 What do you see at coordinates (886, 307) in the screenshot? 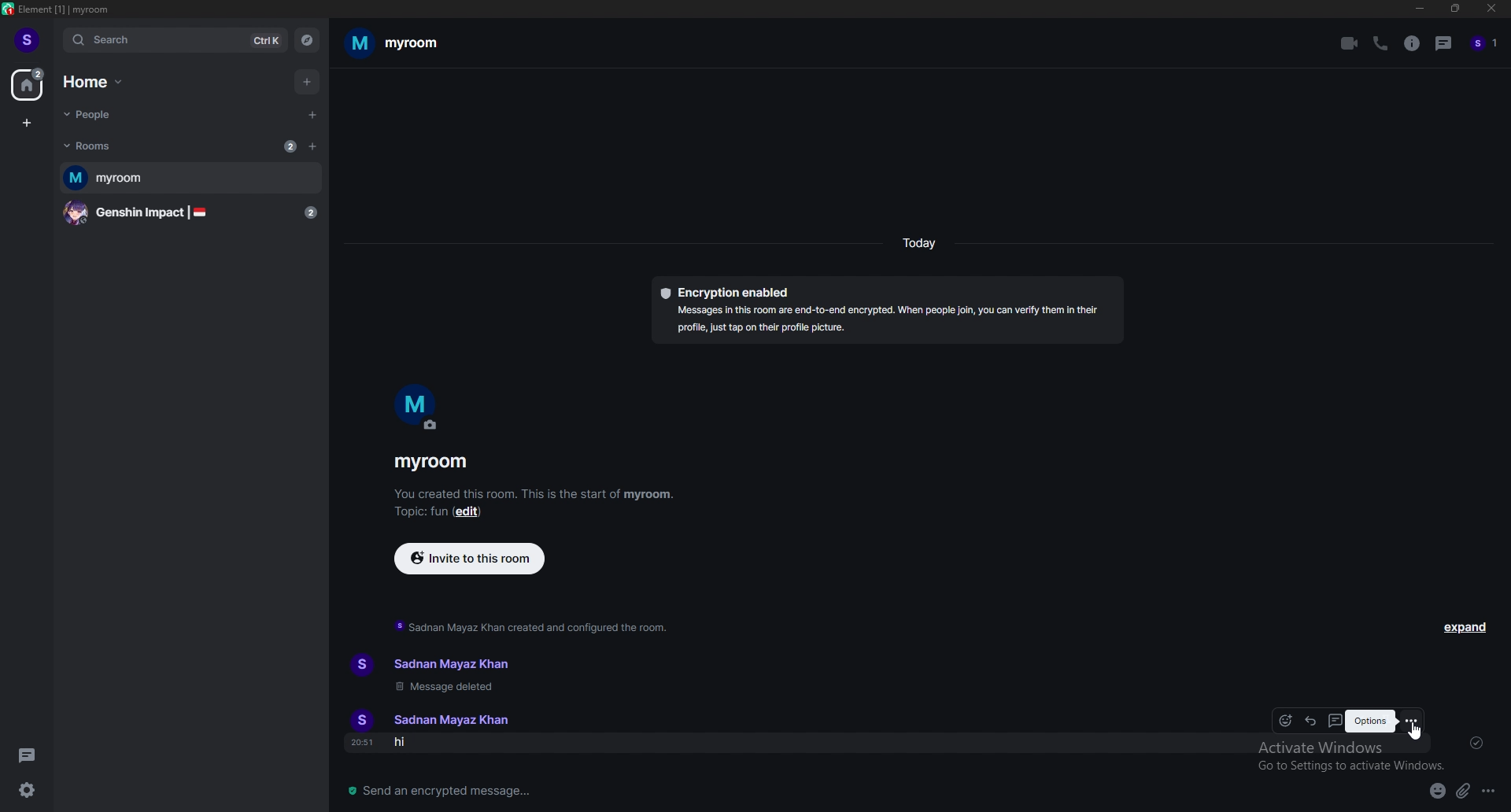
I see `Encryption enabled Messages in this room are end-to-end encrypted. When people join, you can verify them in their profile, just tap on their profile picture.` at bounding box center [886, 307].